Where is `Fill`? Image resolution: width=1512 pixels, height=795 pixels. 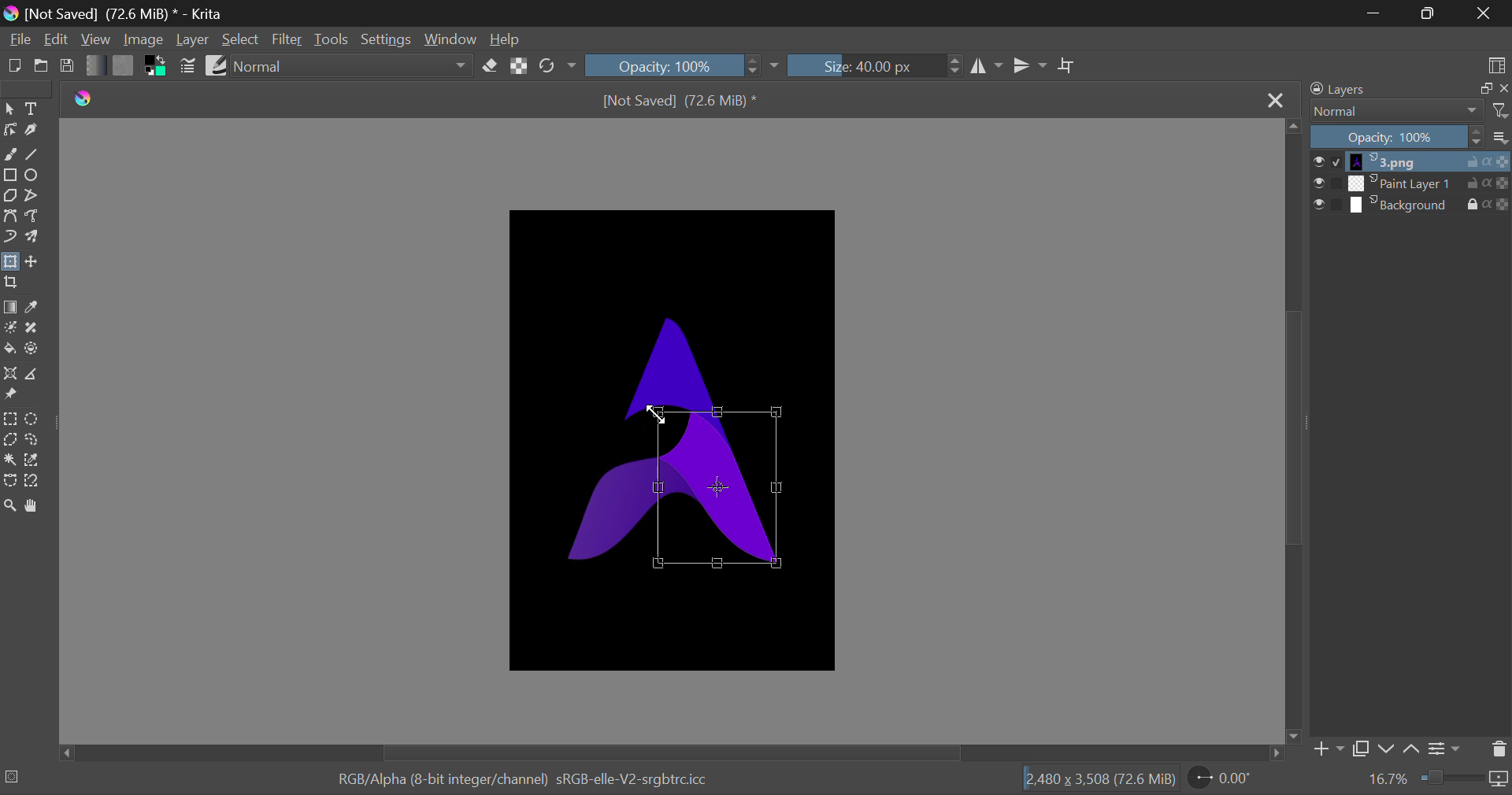 Fill is located at coordinates (10, 352).